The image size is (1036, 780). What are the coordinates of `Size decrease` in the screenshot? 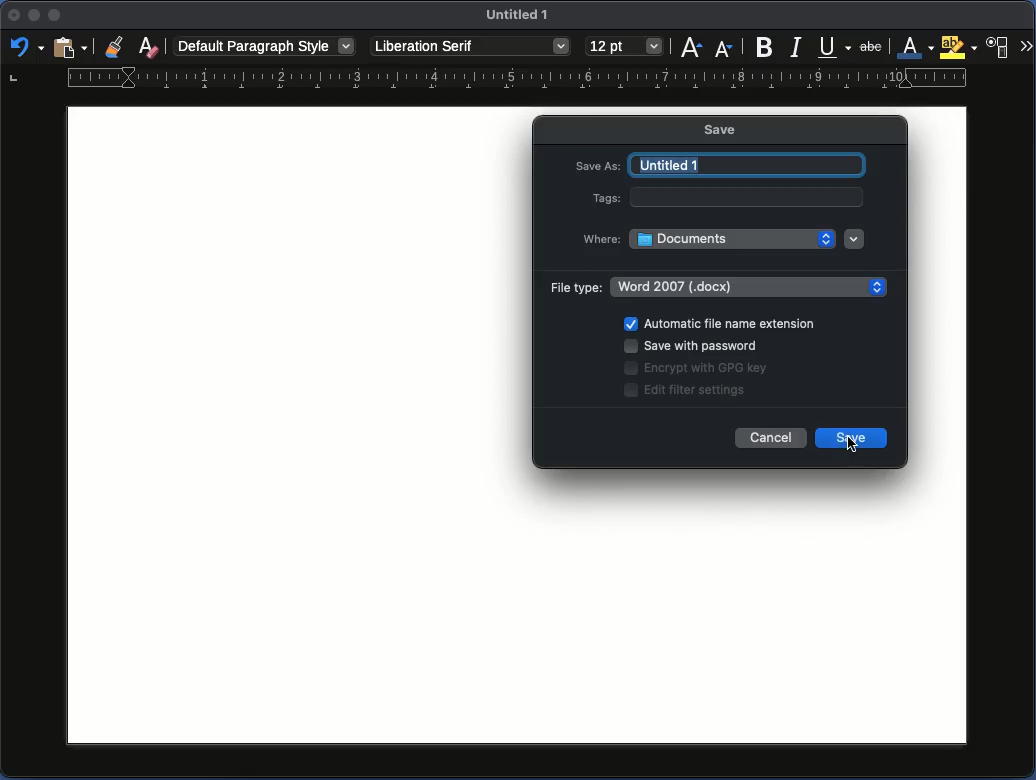 It's located at (724, 46).